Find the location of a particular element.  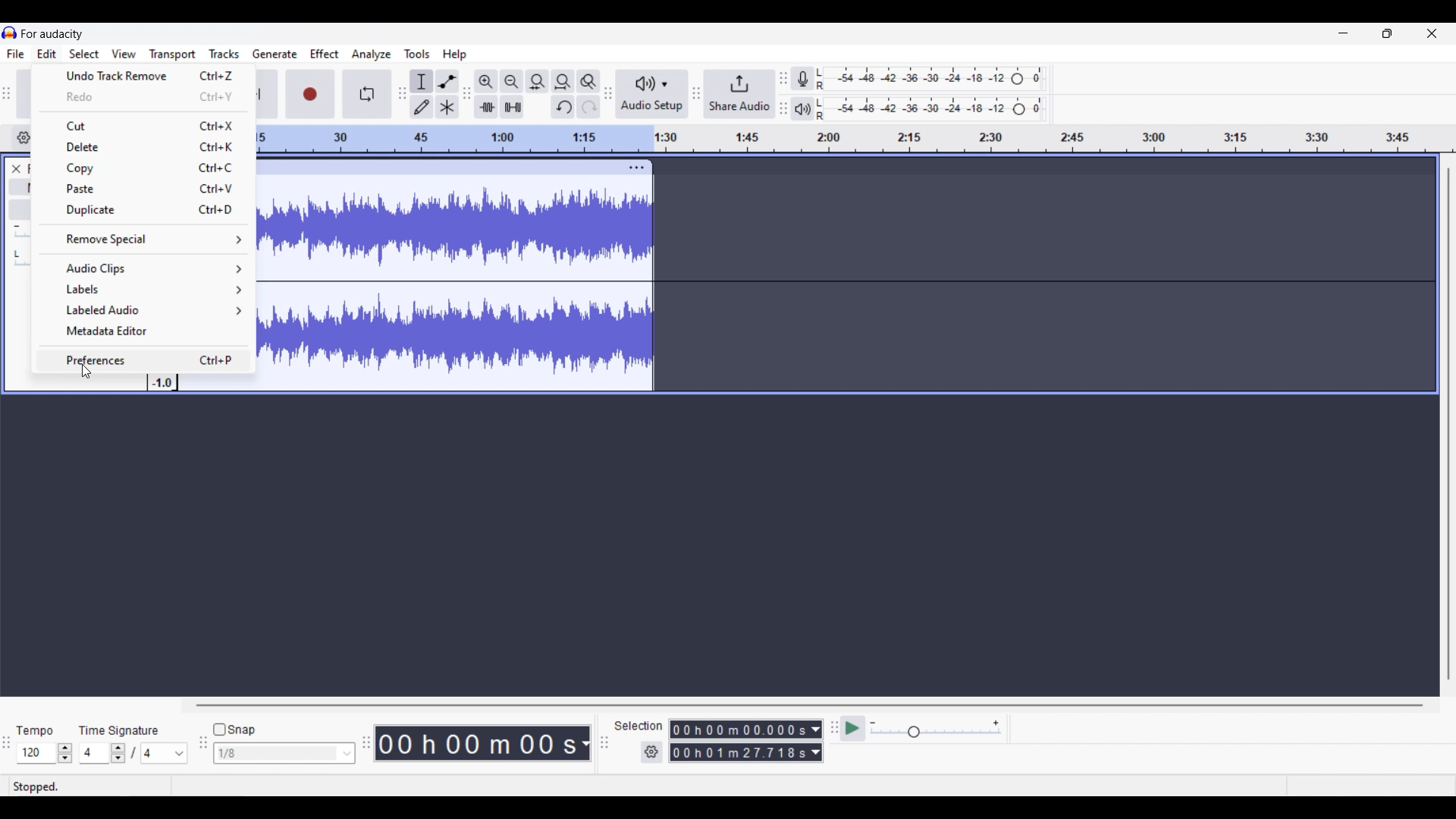

Track settings is located at coordinates (636, 168).